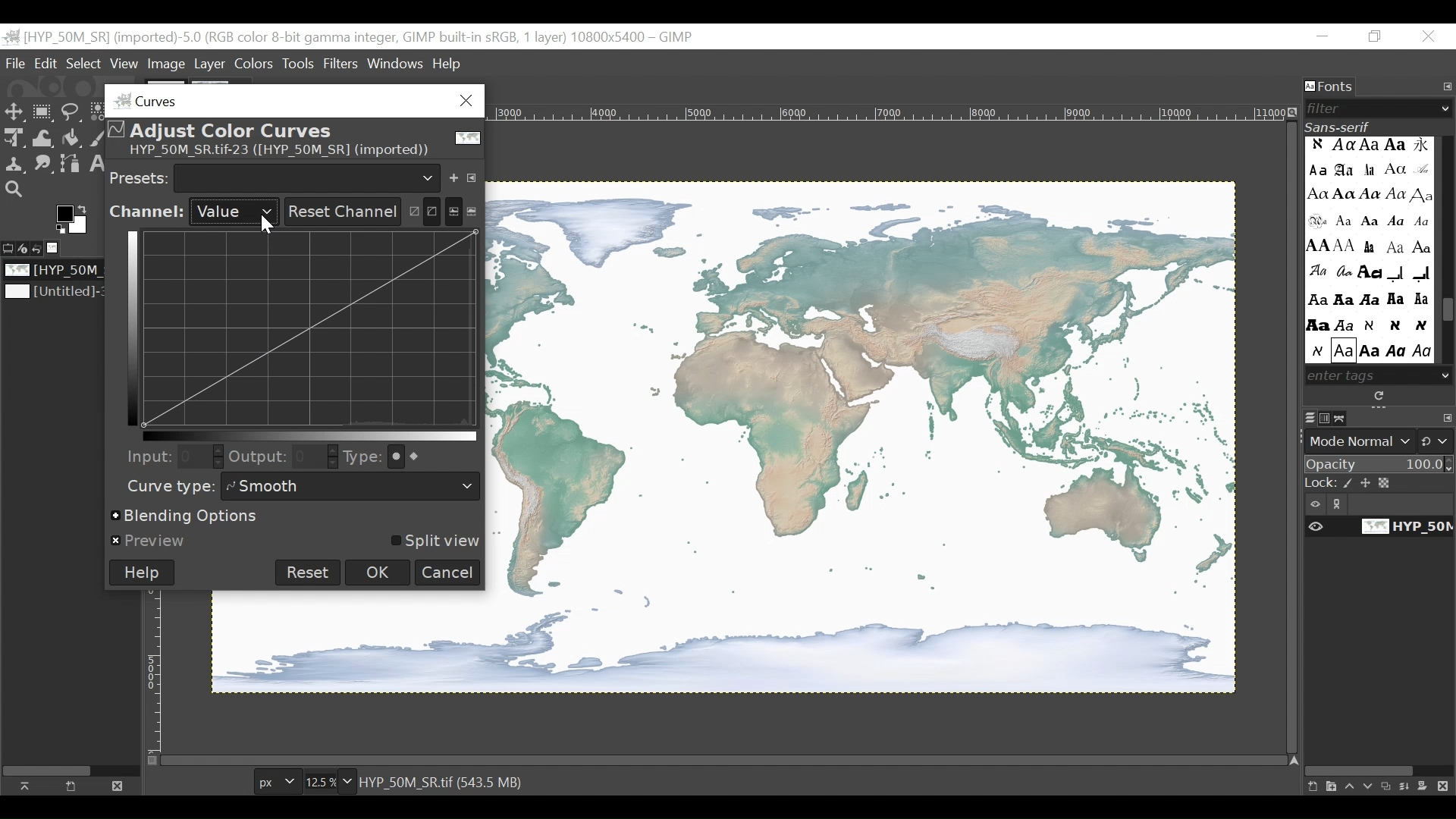 The width and height of the screenshot is (1456, 819). I want to click on Rectangle Select tool, so click(43, 113).